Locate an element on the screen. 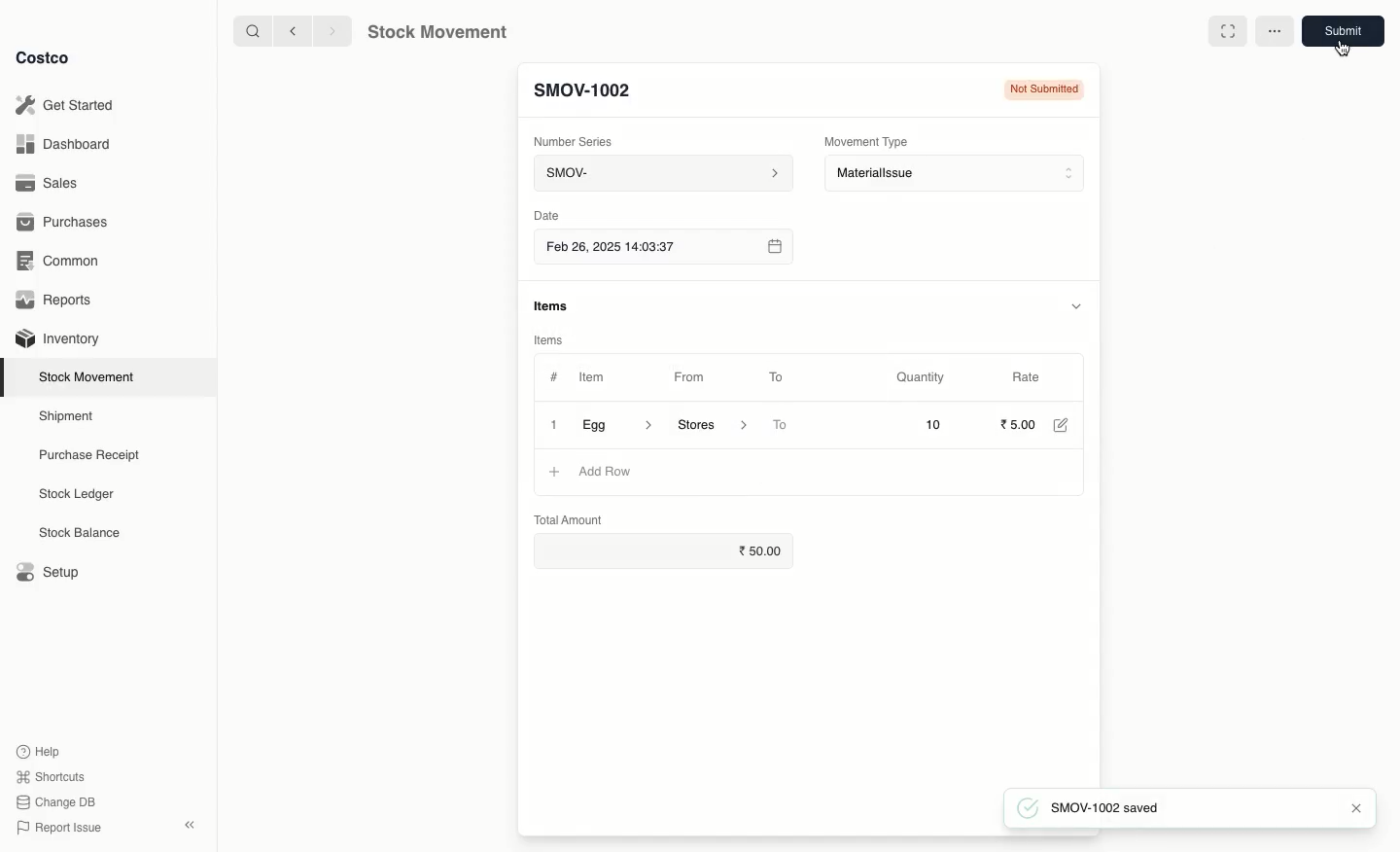 The image size is (1400, 852). Rate is located at coordinates (1027, 374).